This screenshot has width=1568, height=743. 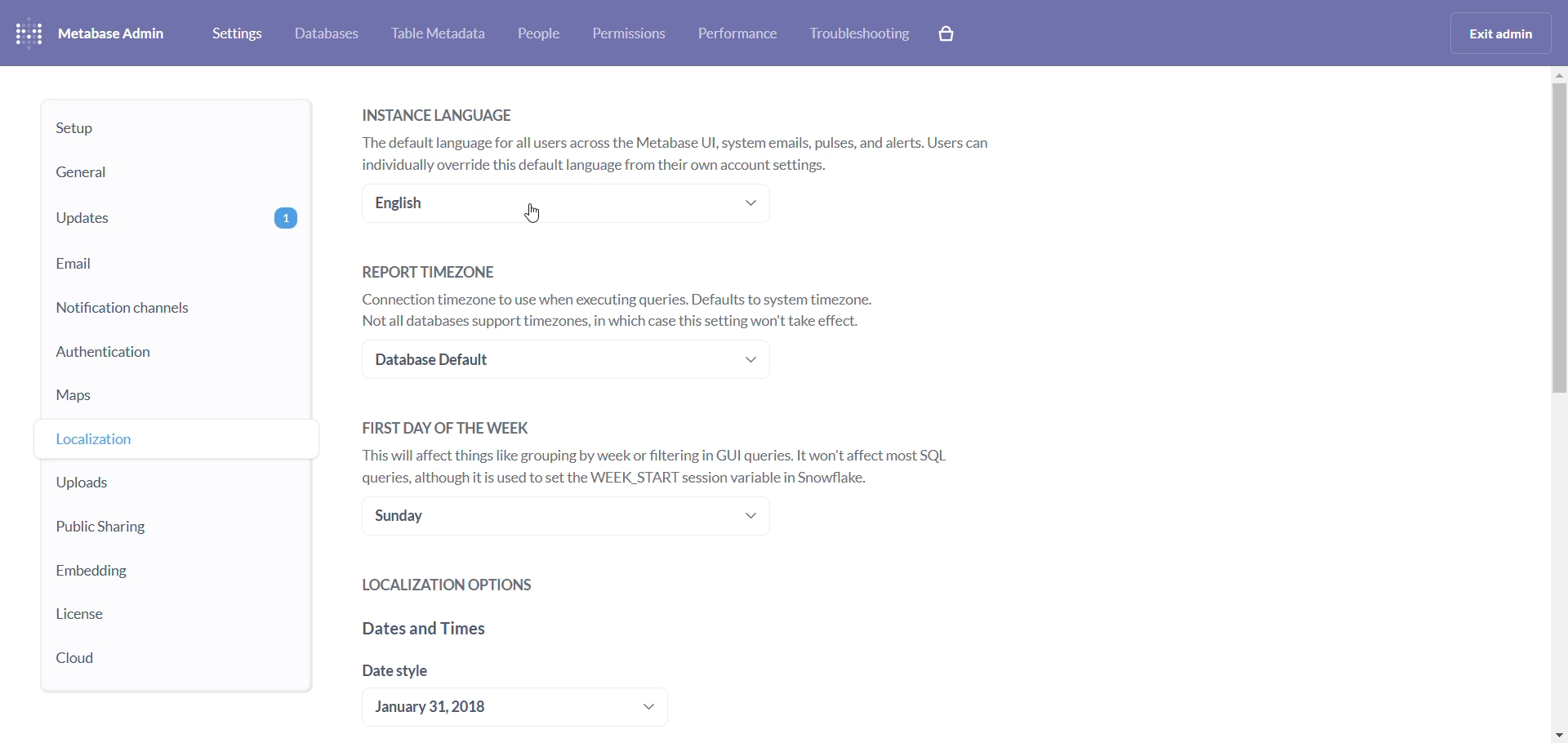 I want to click on performance, so click(x=741, y=34).